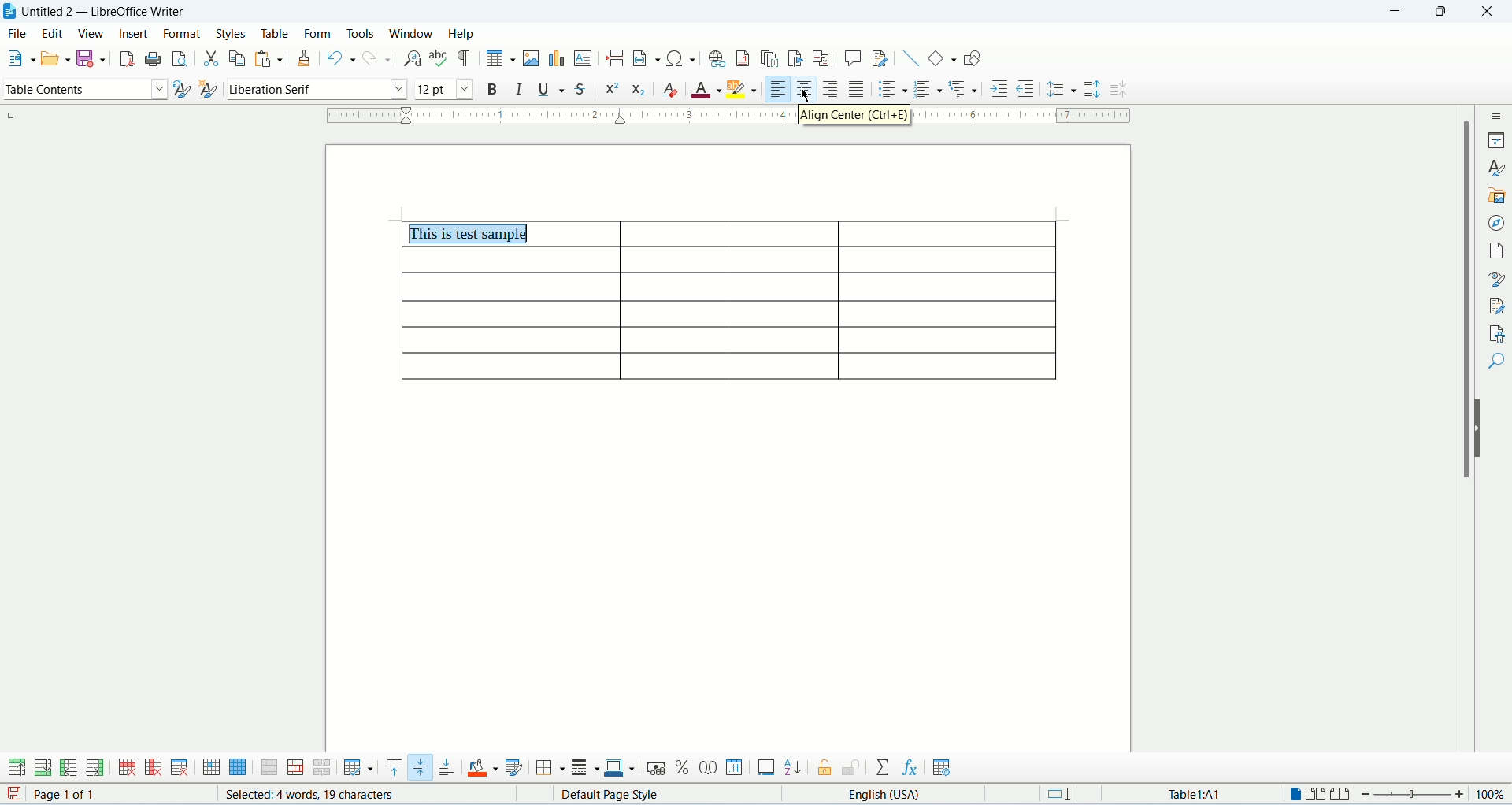 The image size is (1512, 805). Describe the element at coordinates (1118, 89) in the screenshot. I see `decrease paragraph spacing` at that location.